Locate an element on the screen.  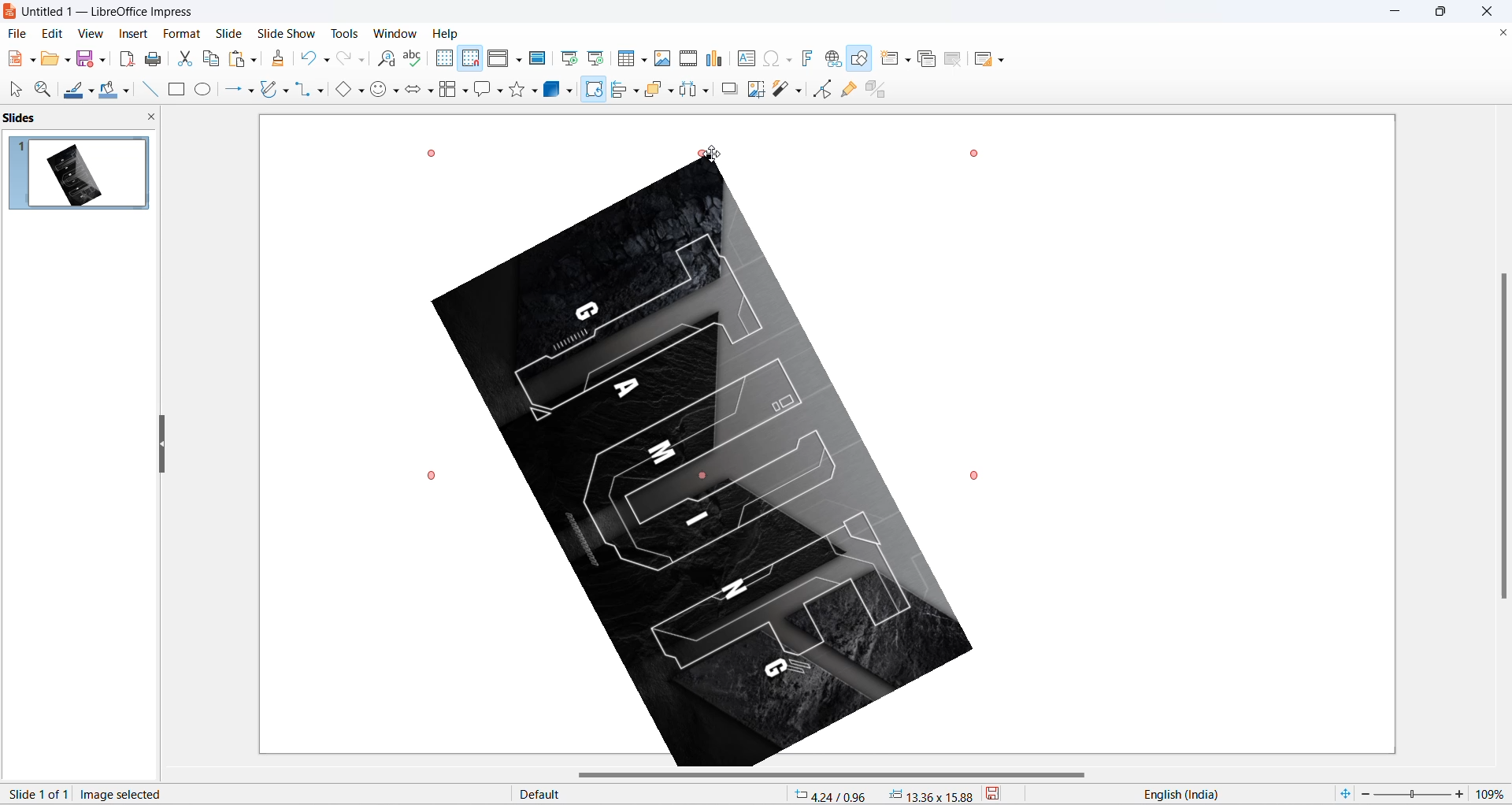
help is located at coordinates (447, 33).